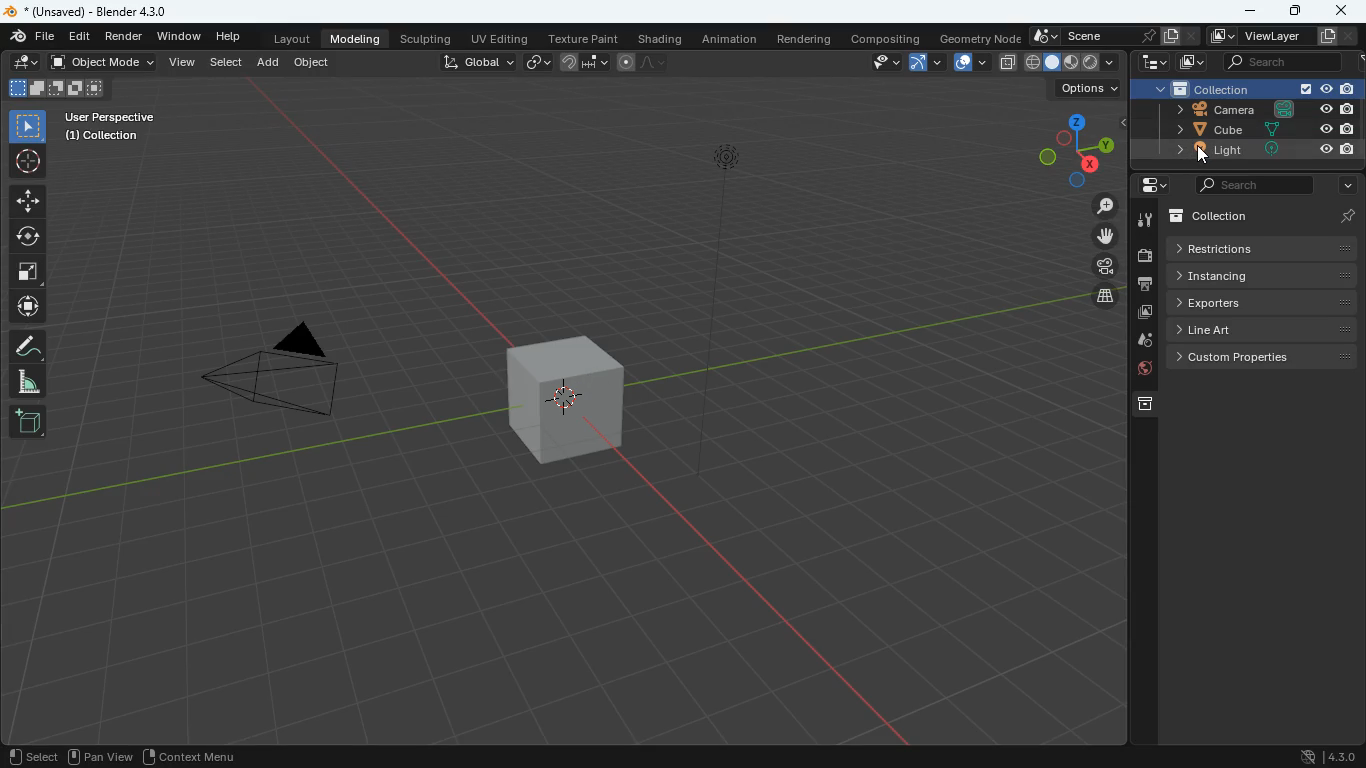 The image size is (1366, 768). Describe the element at coordinates (1246, 149) in the screenshot. I see `light` at that location.